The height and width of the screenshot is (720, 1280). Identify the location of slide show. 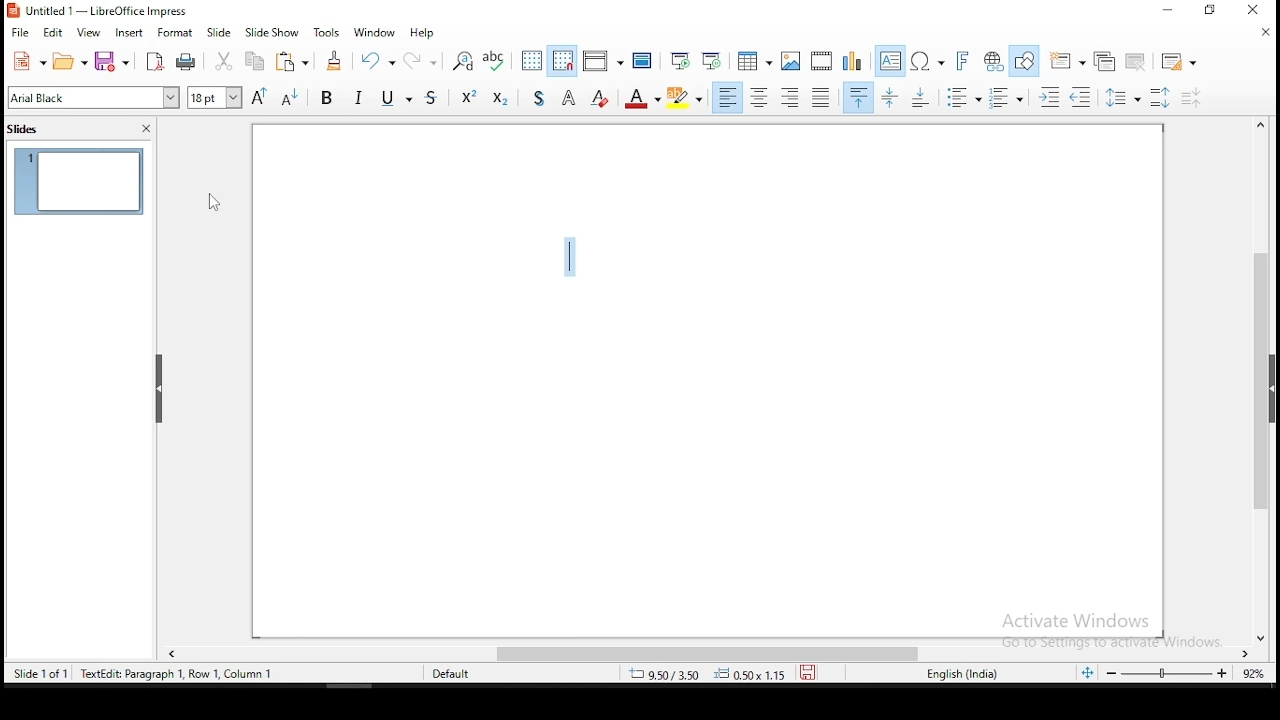
(220, 32).